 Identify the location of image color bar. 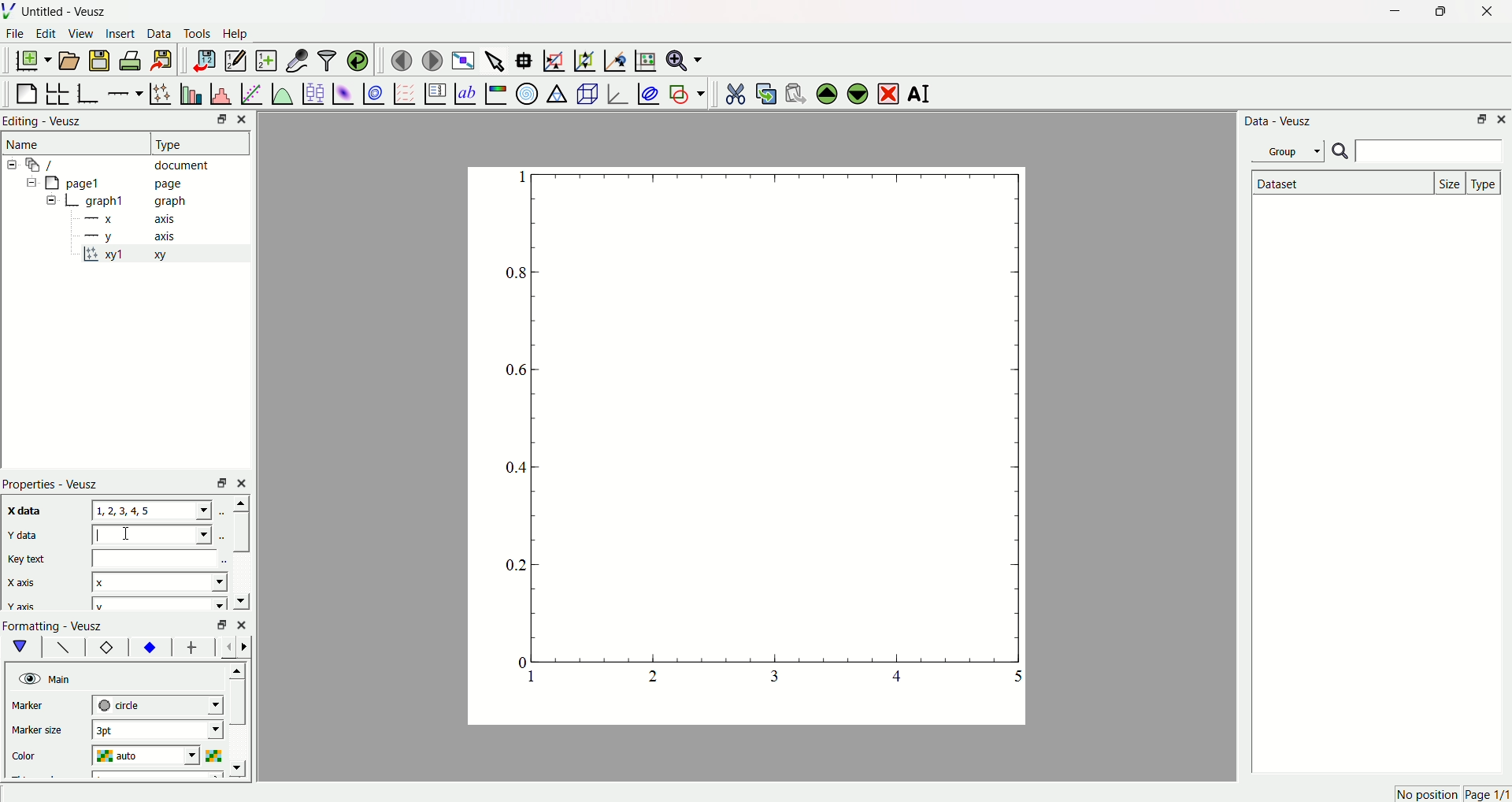
(495, 93).